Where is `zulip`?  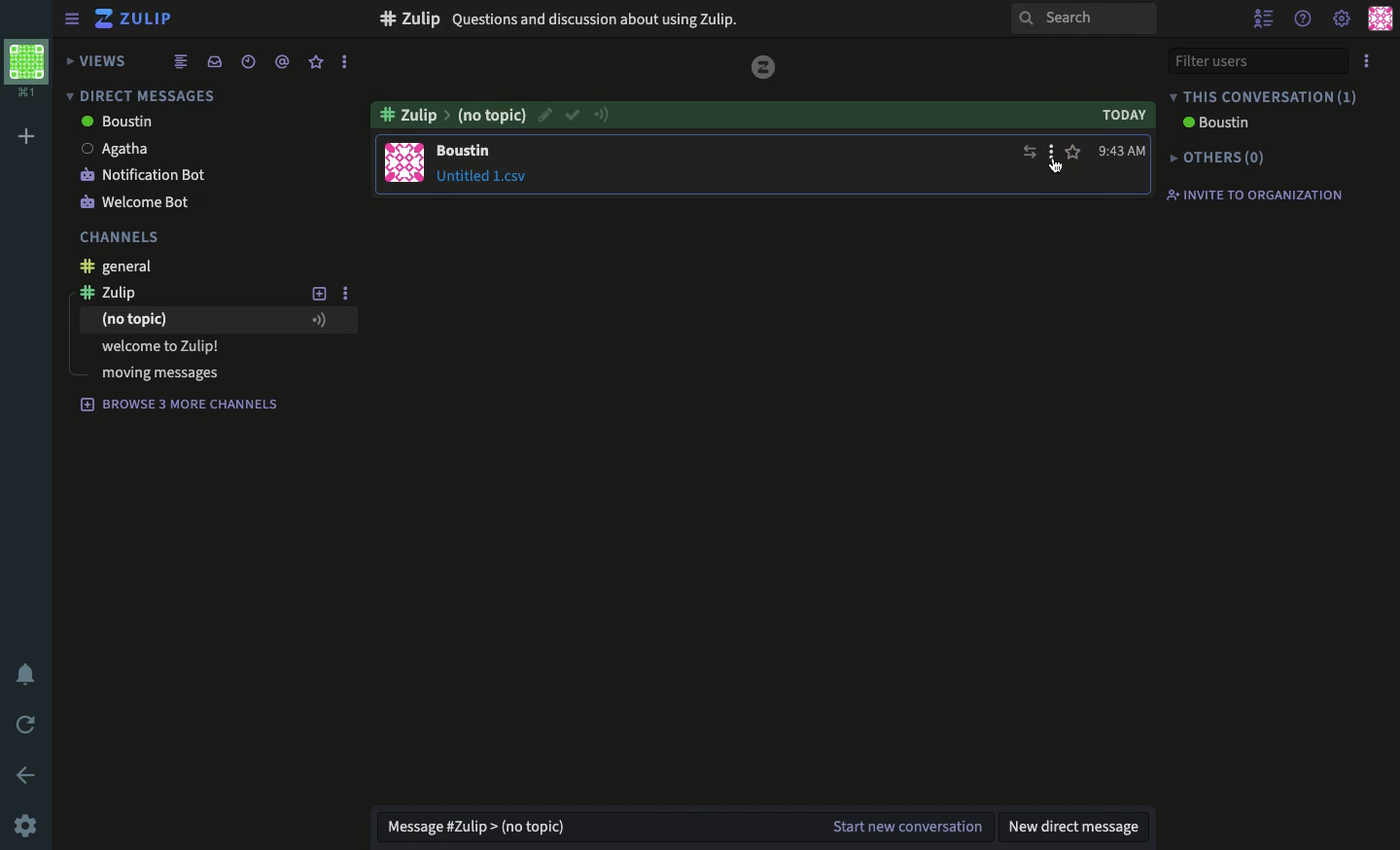 zulip is located at coordinates (125, 292).